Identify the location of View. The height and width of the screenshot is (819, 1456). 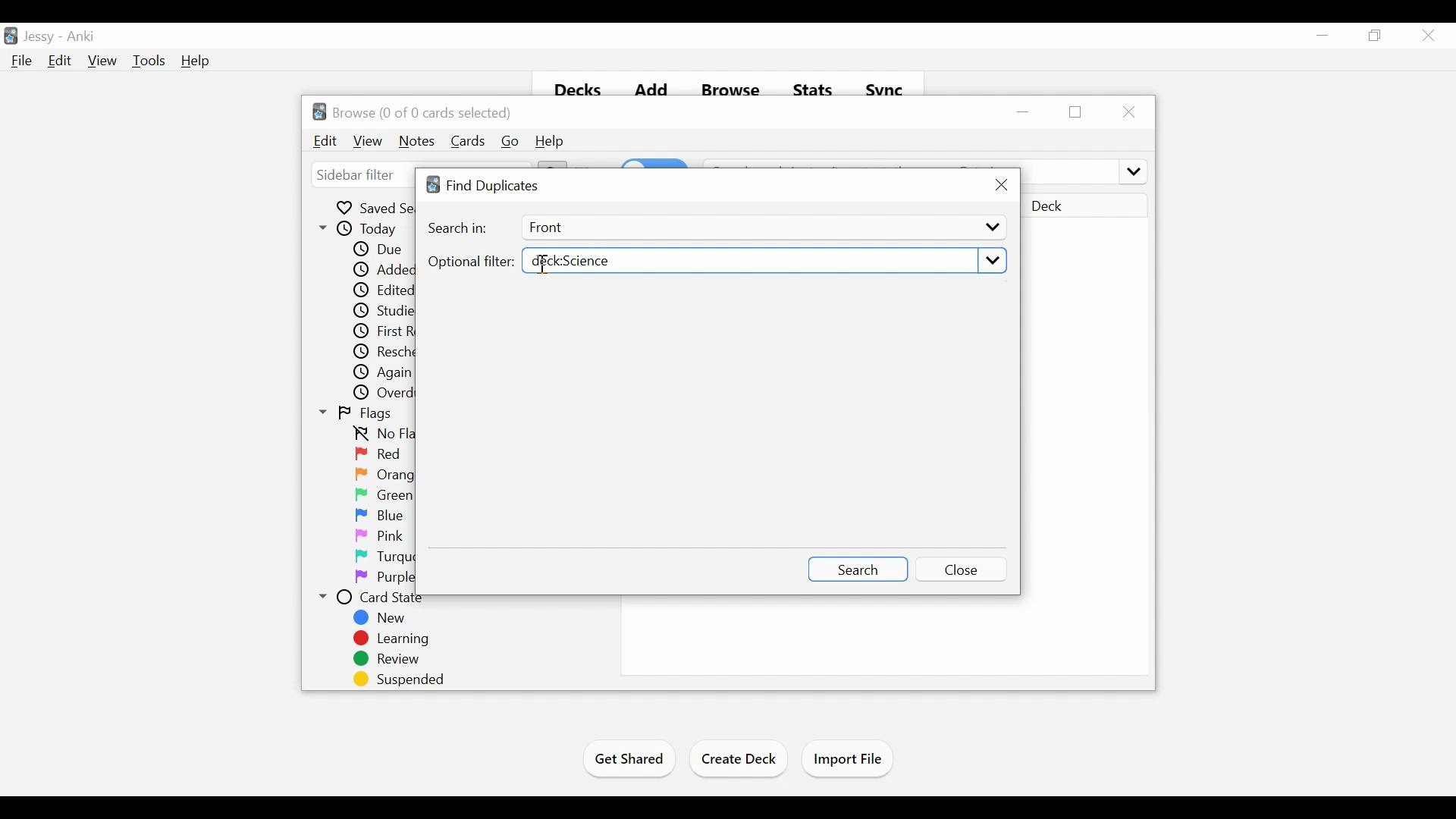
(102, 61).